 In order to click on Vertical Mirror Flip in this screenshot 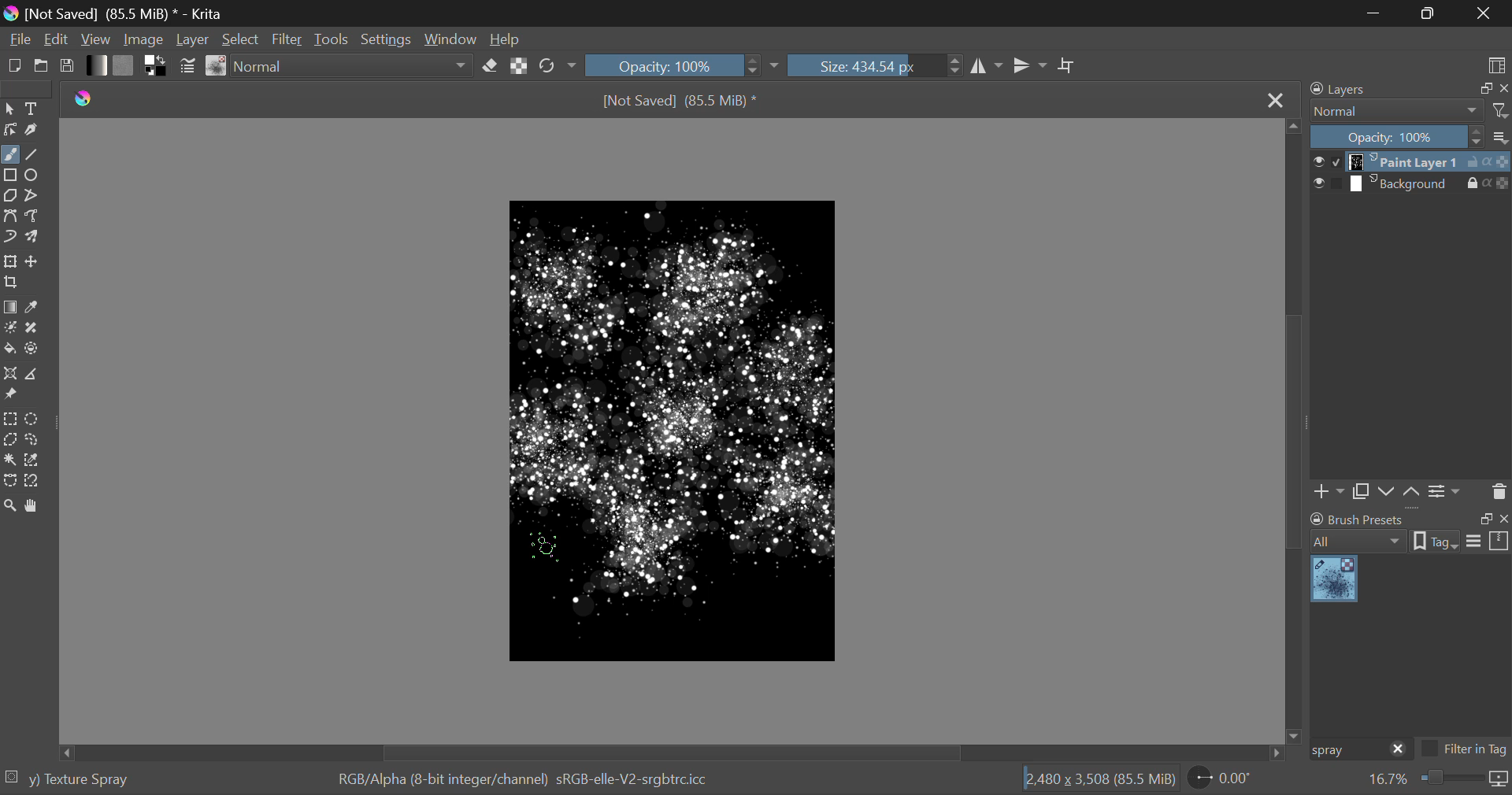, I will do `click(984, 66)`.